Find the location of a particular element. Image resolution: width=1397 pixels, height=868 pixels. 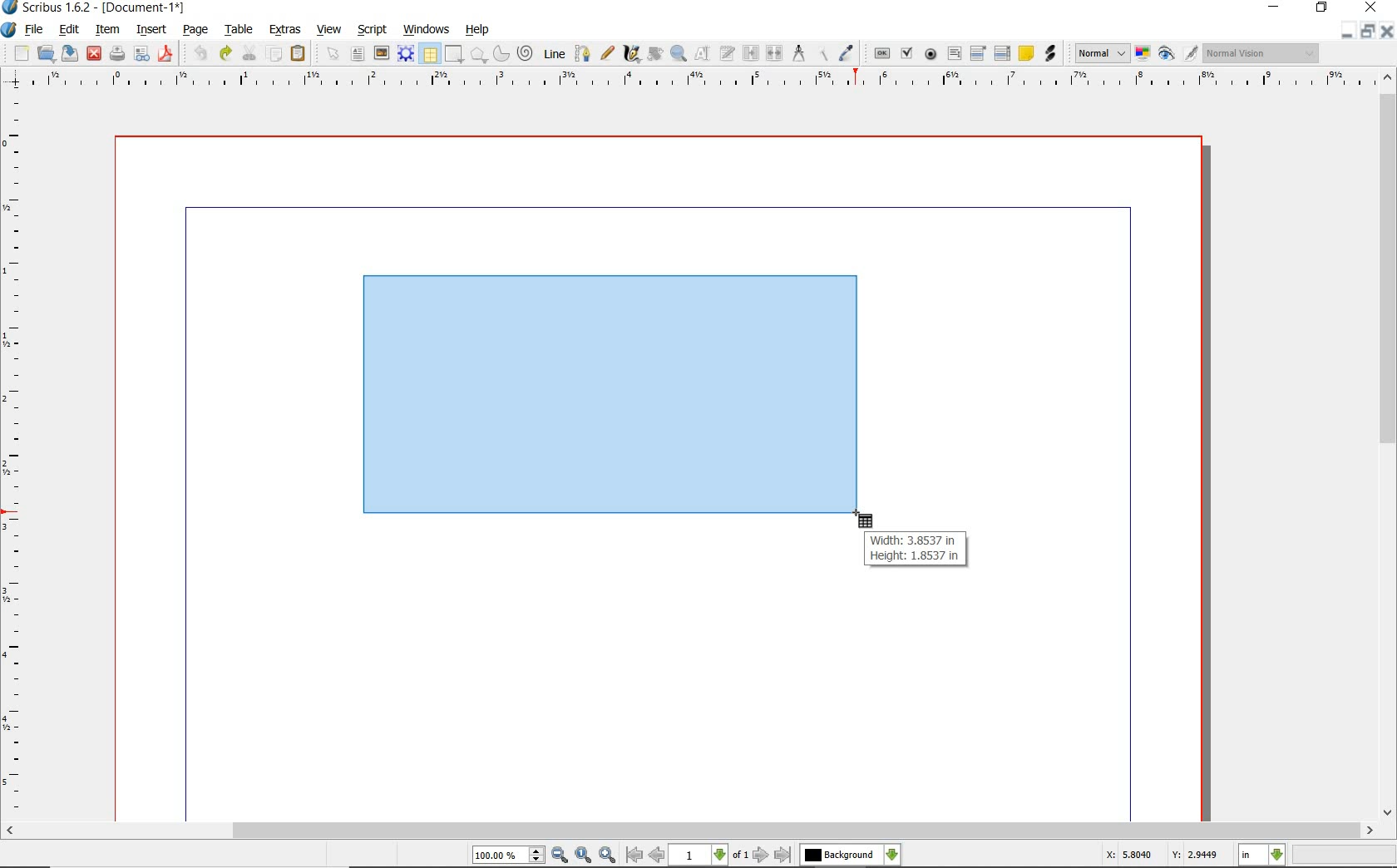

zoom out is located at coordinates (560, 856).